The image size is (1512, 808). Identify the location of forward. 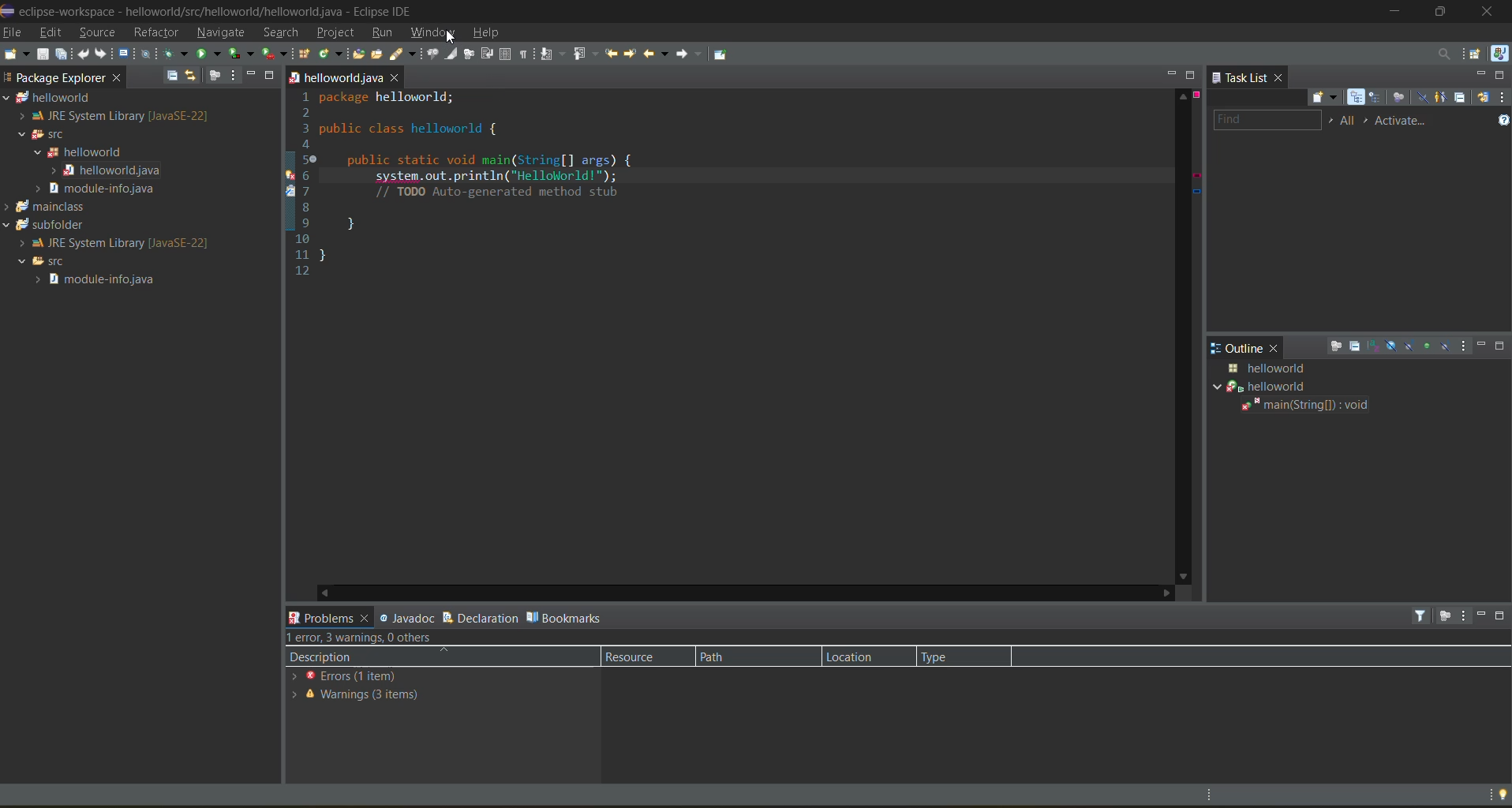
(690, 54).